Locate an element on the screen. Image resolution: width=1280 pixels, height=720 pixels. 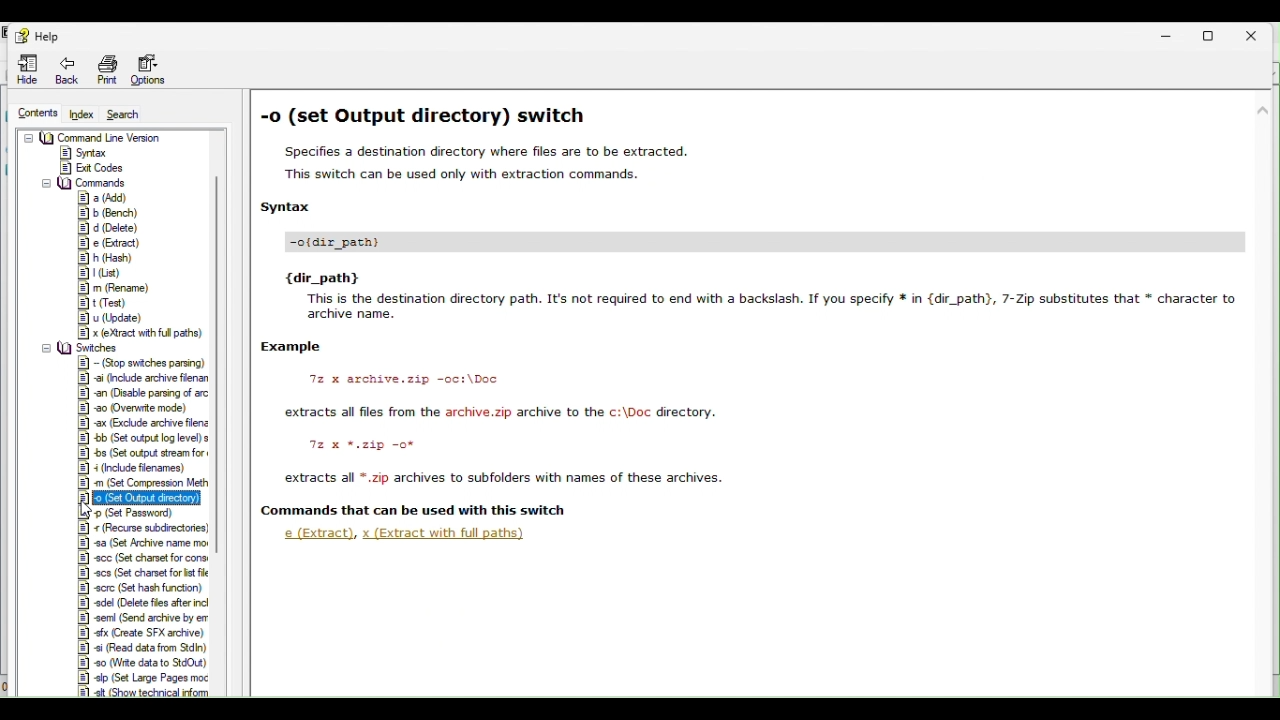
Extract is located at coordinates (318, 534).